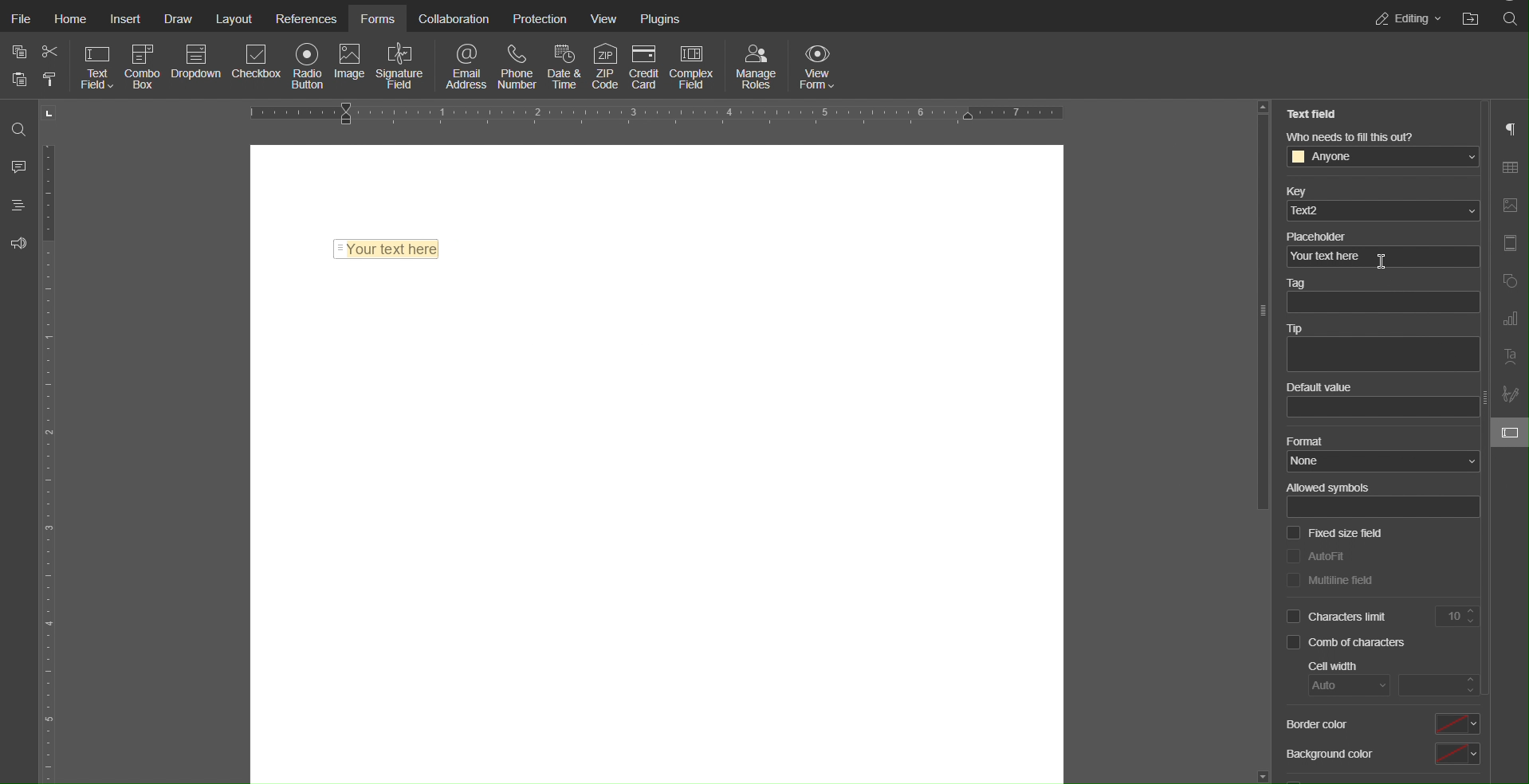 The image size is (1529, 784). What do you see at coordinates (1378, 453) in the screenshot?
I see `Format` at bounding box center [1378, 453].